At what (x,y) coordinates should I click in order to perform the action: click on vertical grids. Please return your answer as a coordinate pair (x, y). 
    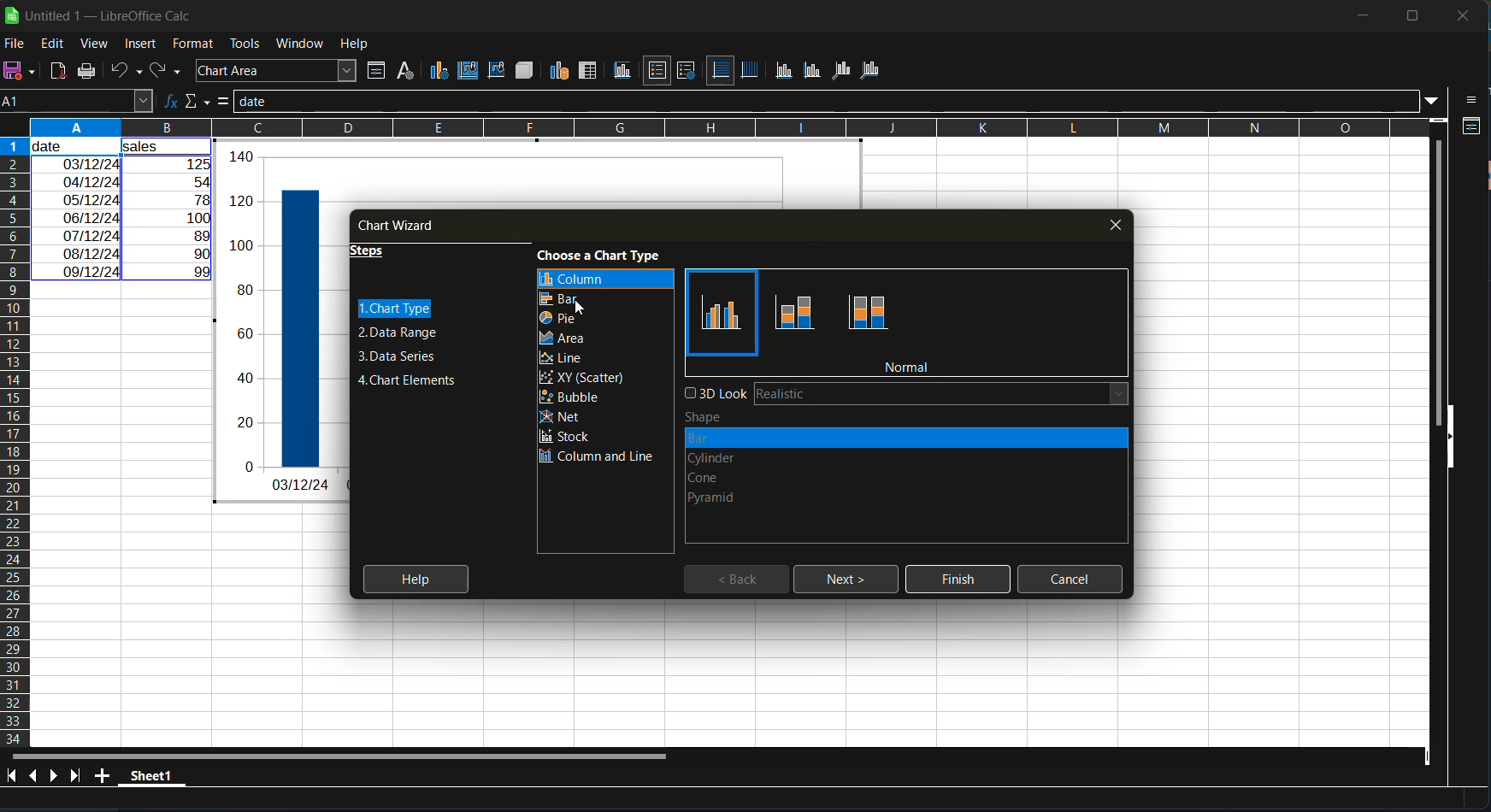
    Looking at the image, I should click on (751, 70).